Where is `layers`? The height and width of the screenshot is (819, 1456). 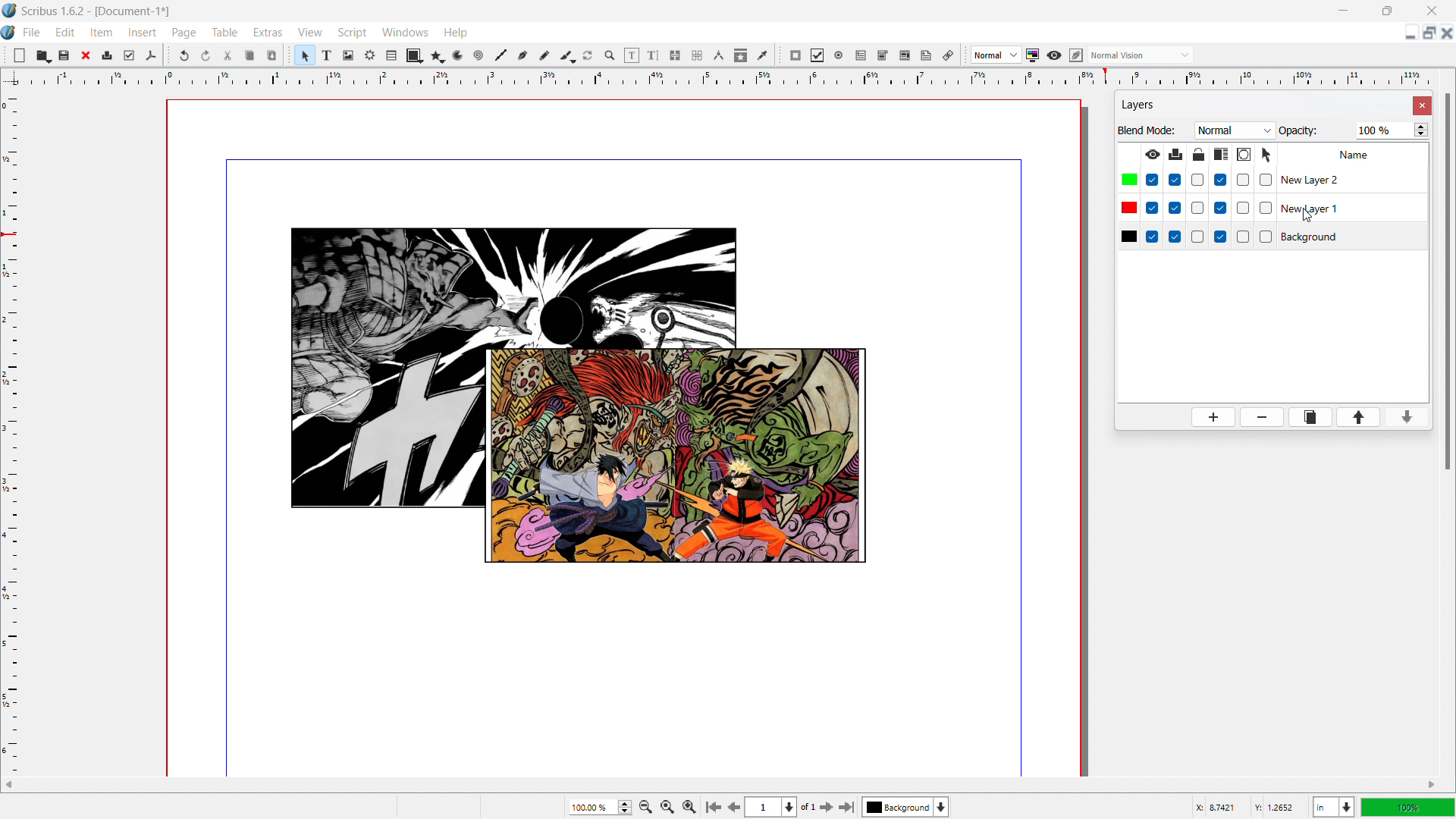
layers is located at coordinates (1142, 103).